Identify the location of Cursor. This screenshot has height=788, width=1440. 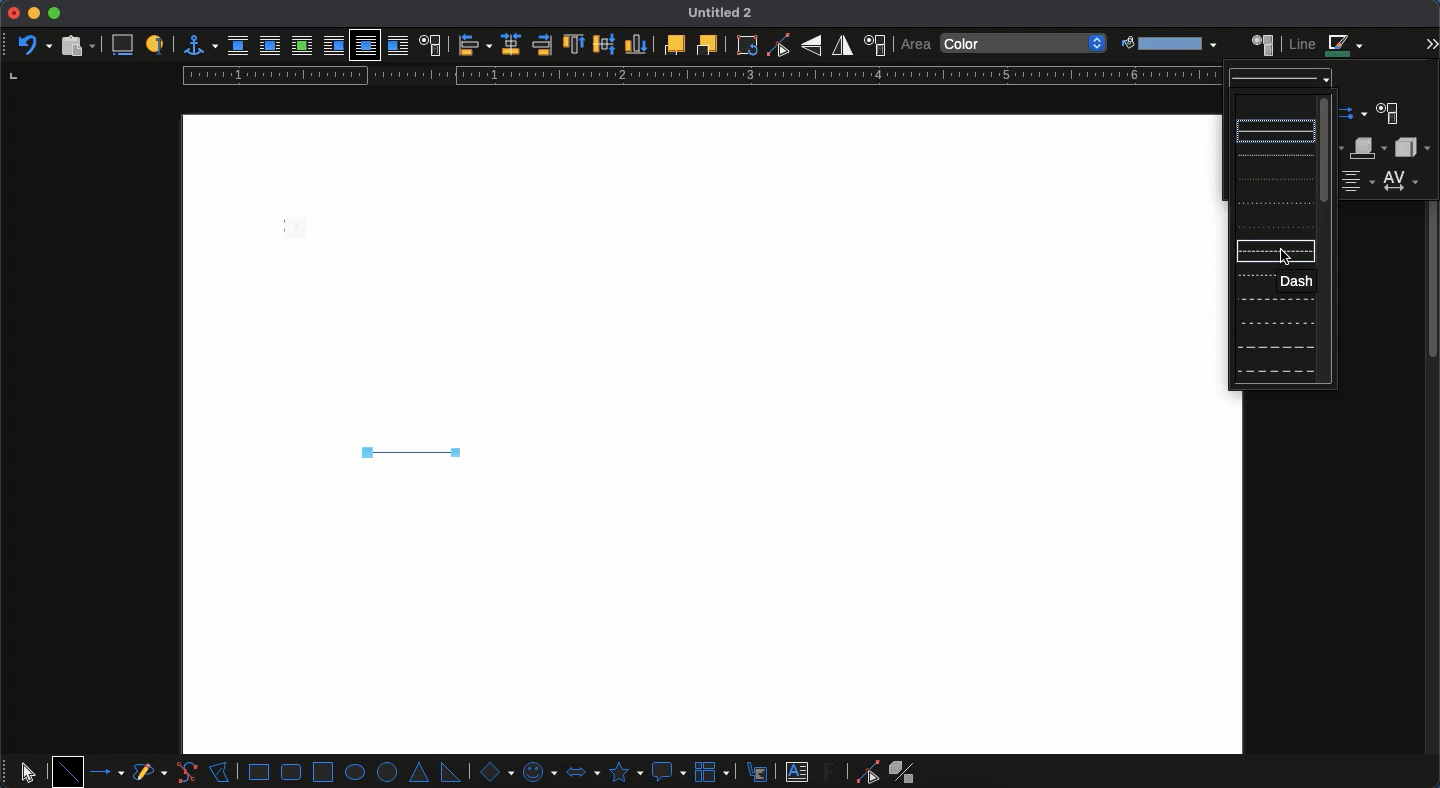
(1286, 257).